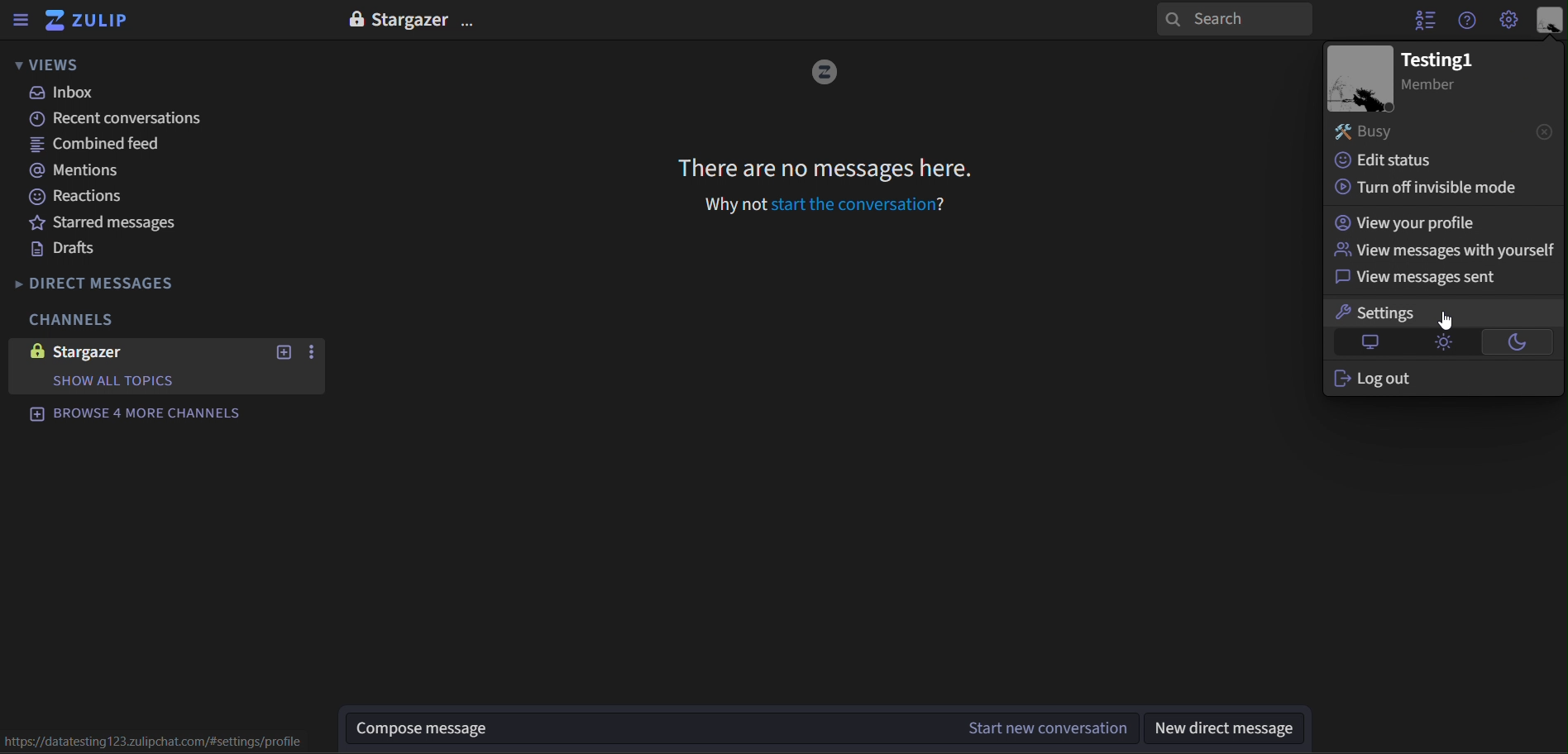 The width and height of the screenshot is (1568, 754). Describe the element at coordinates (1372, 134) in the screenshot. I see `busy` at that location.